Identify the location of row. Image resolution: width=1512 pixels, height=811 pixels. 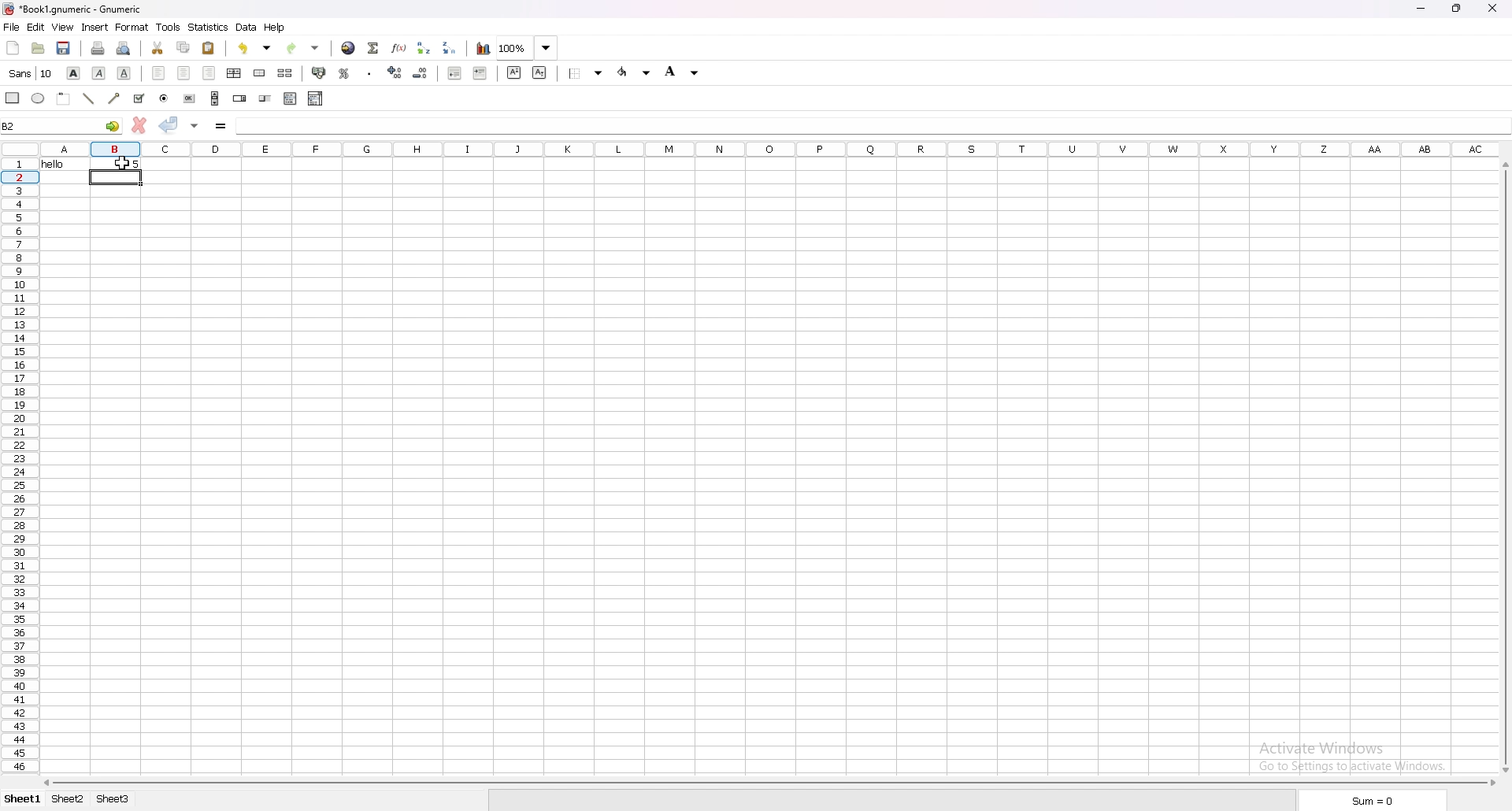
(18, 468).